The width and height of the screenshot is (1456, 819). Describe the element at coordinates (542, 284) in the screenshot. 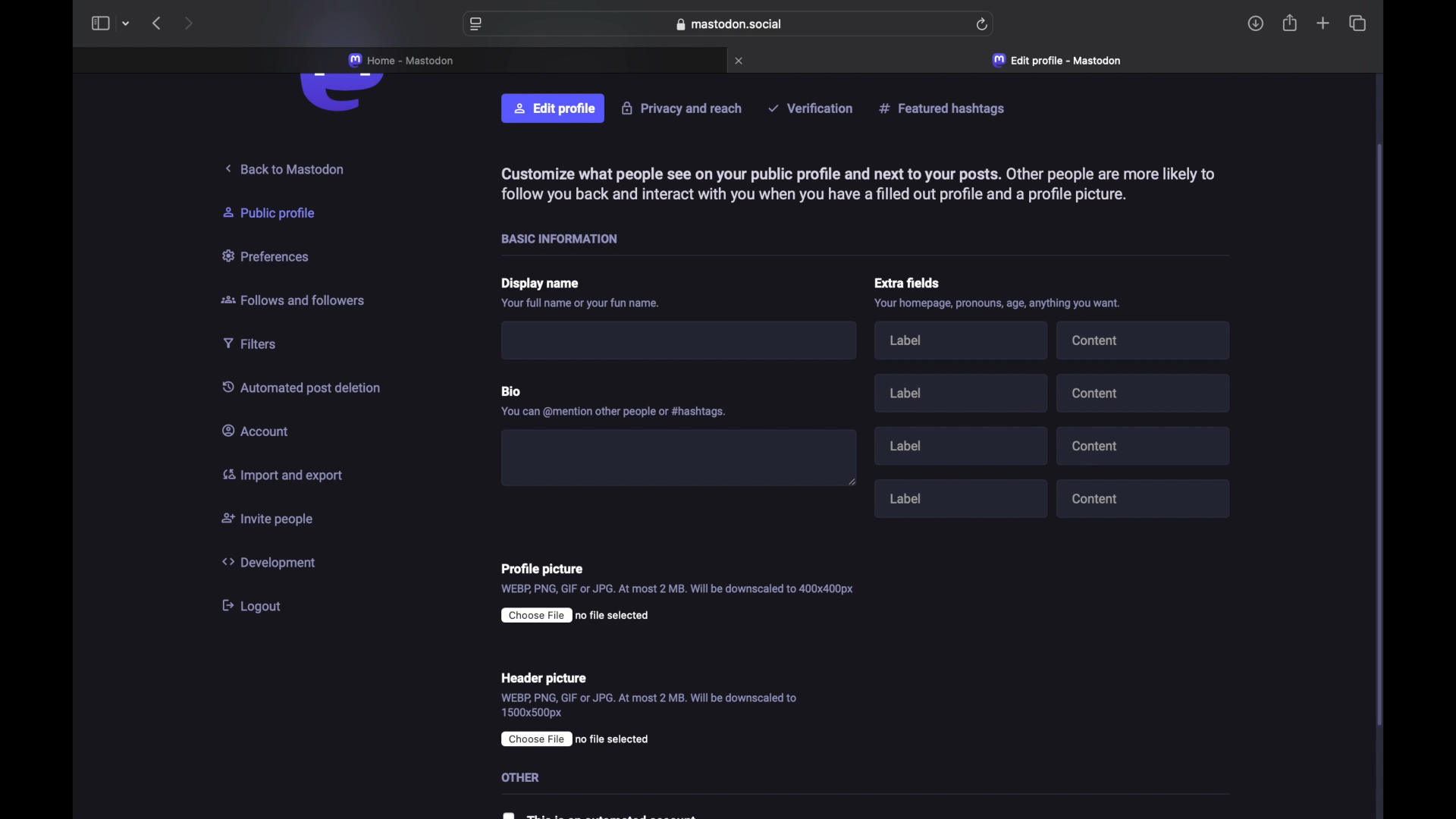

I see `display name` at that location.